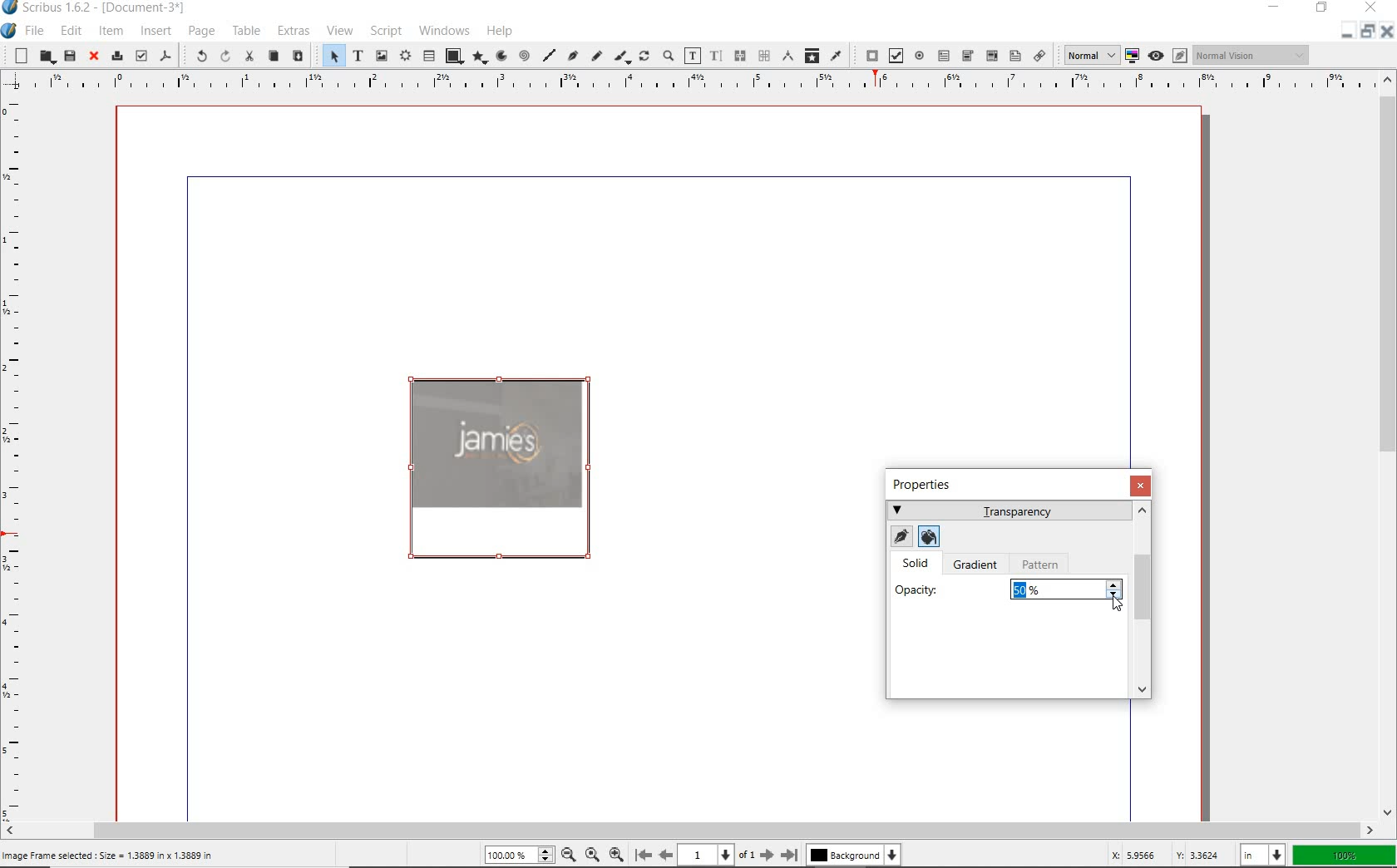 This screenshot has width=1397, height=868. I want to click on Bezier curve, so click(572, 55).